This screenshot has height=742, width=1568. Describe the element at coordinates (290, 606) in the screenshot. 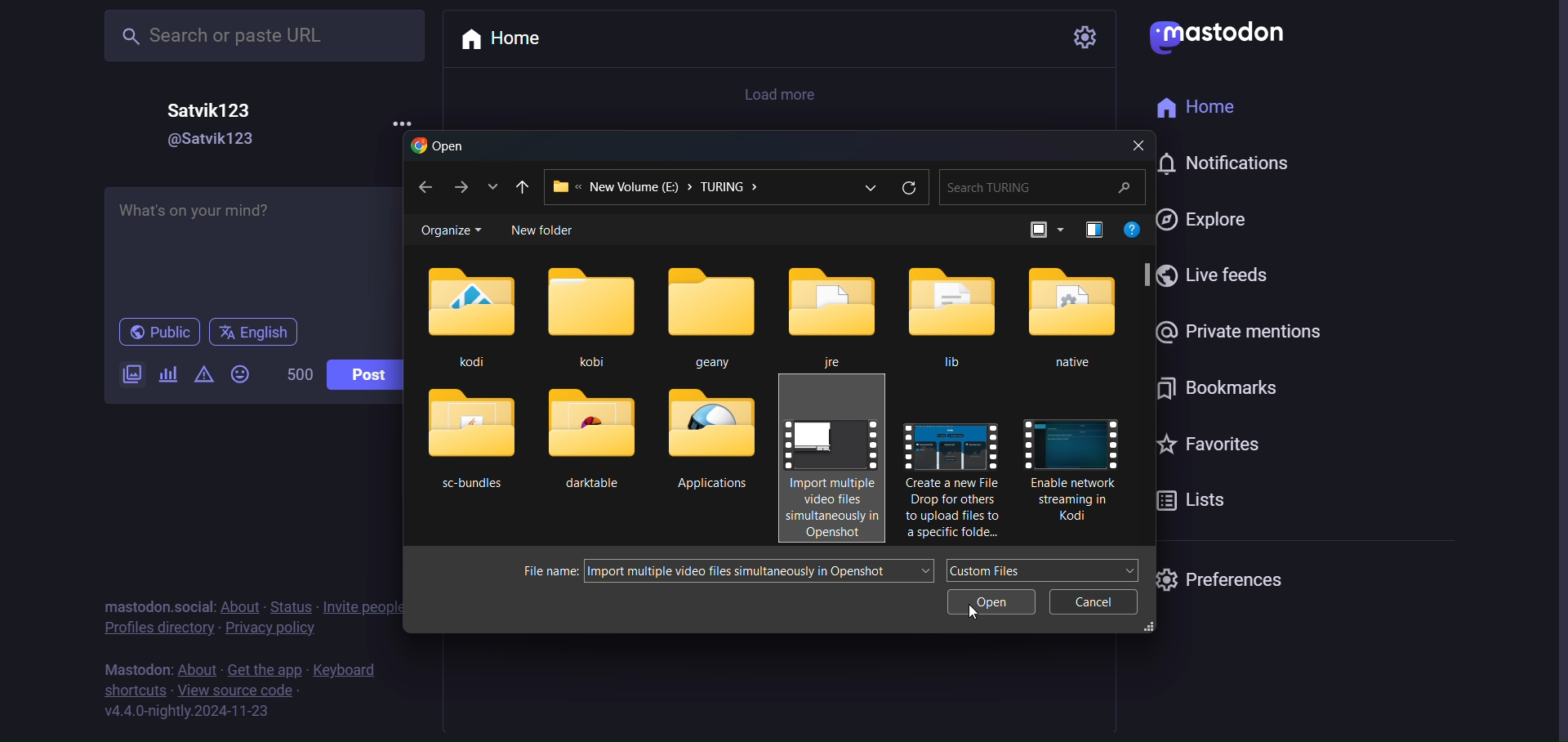

I see `status` at that location.